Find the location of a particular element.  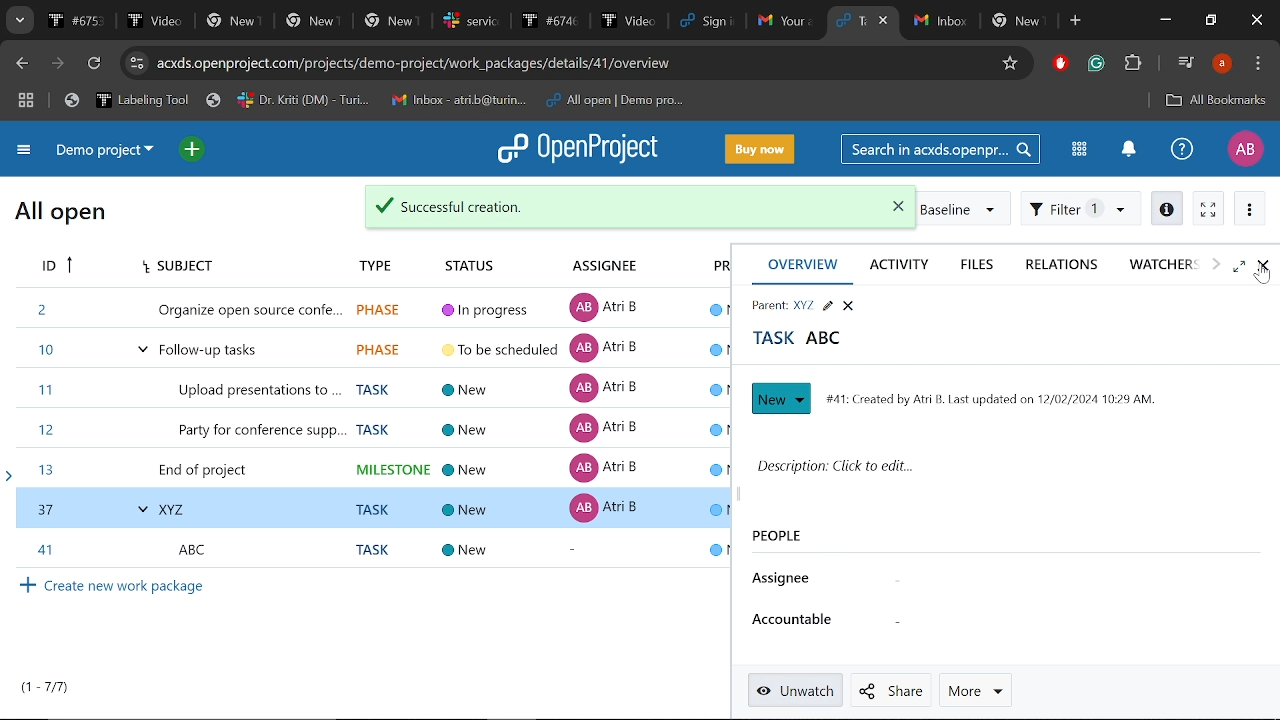

Files is located at coordinates (978, 266).